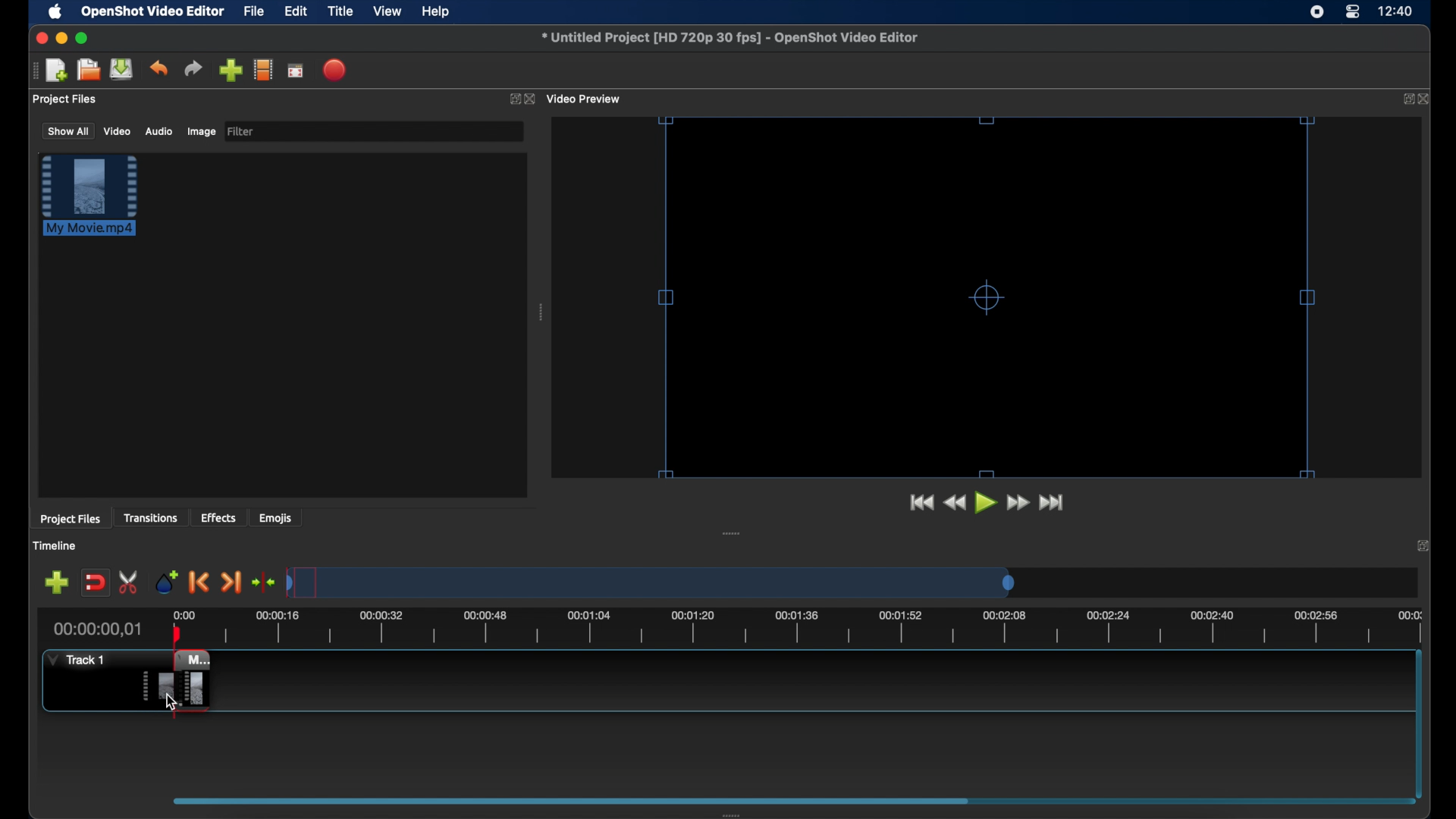  I want to click on project files, so click(71, 519).